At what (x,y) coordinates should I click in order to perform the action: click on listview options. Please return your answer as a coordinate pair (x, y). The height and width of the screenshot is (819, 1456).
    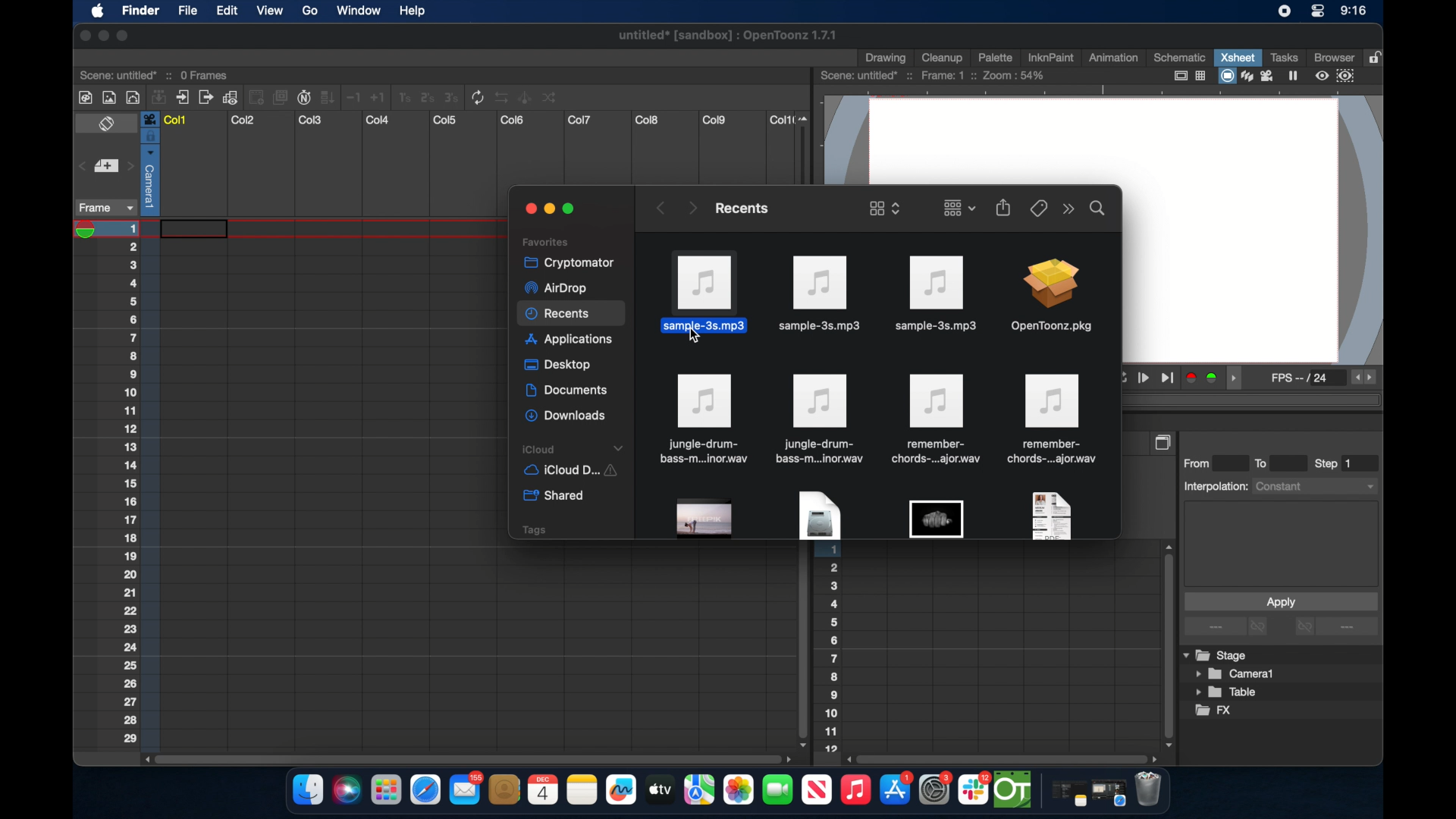
    Looking at the image, I should click on (884, 208).